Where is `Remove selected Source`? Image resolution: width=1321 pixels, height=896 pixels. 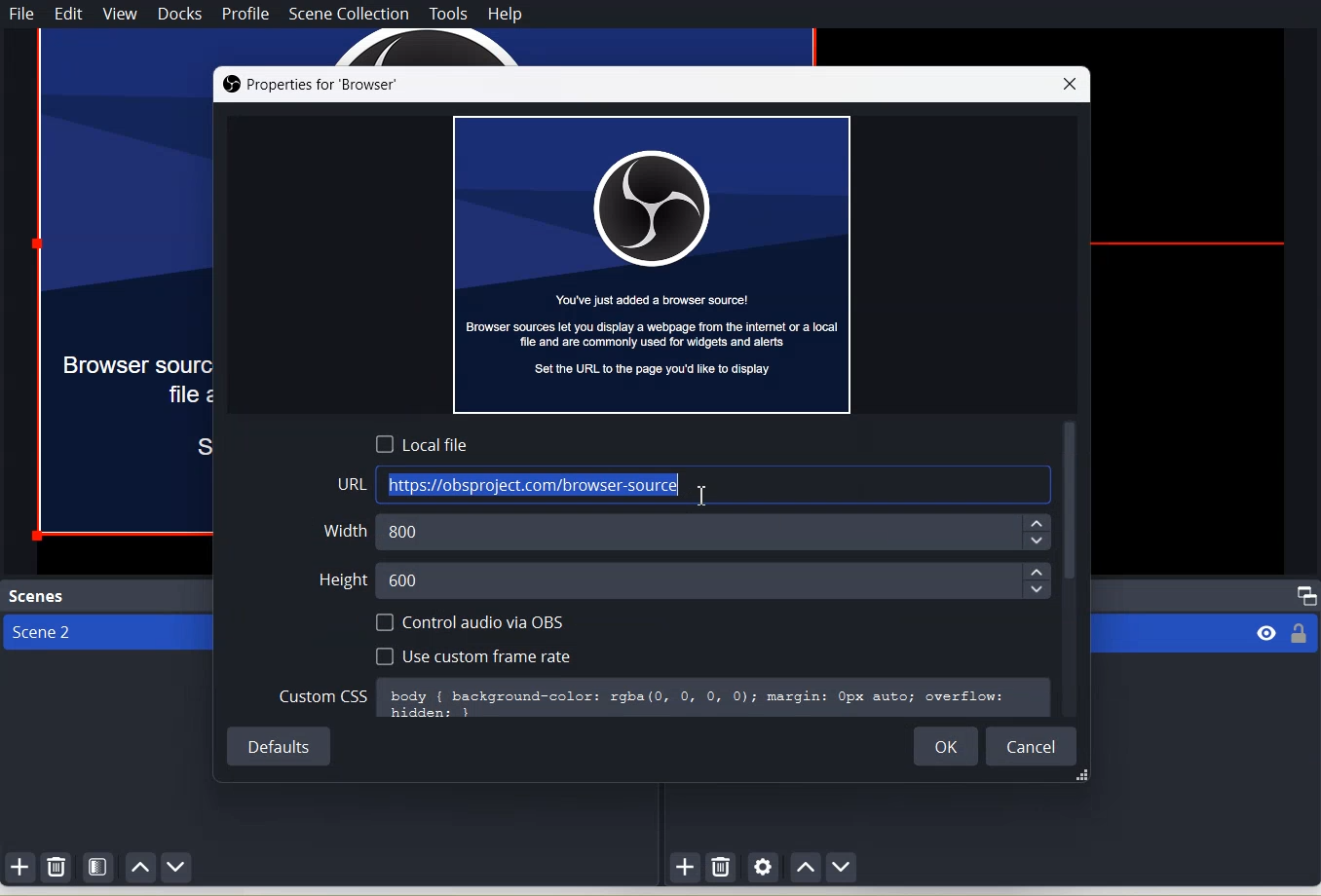 Remove selected Source is located at coordinates (722, 866).